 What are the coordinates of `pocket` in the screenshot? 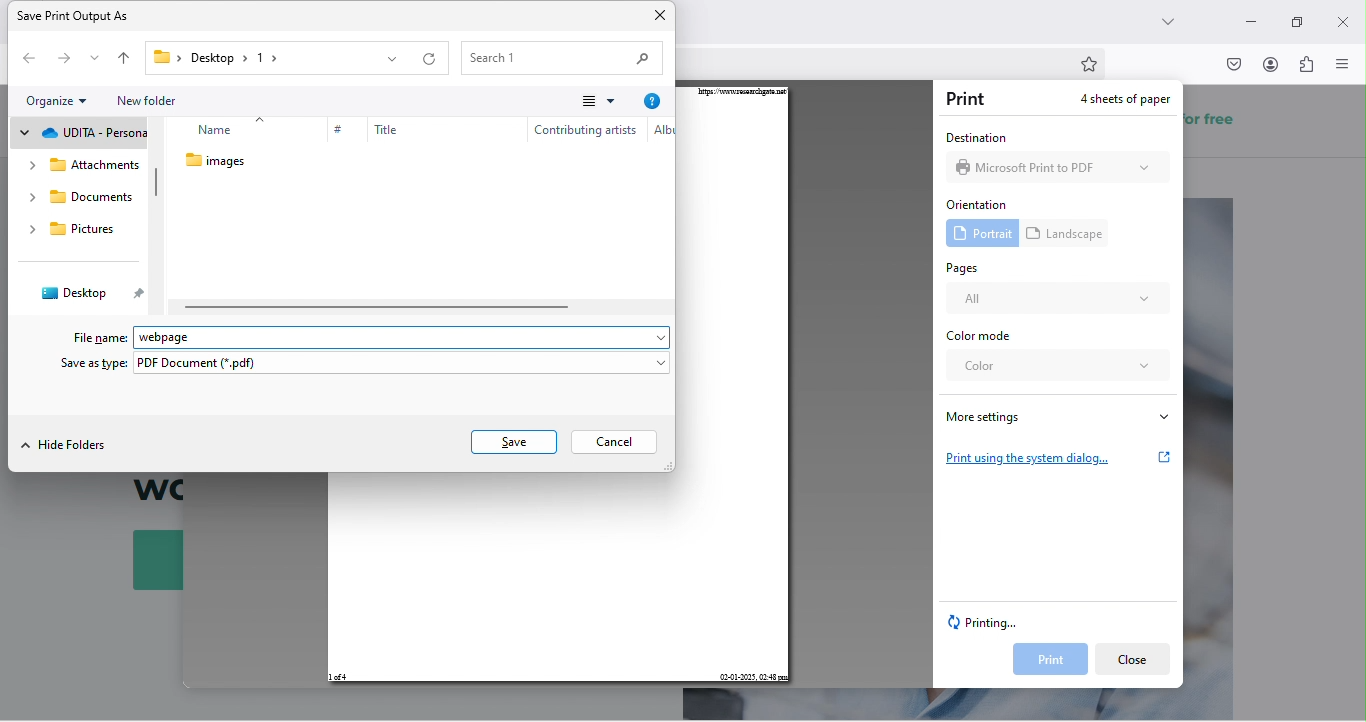 It's located at (1232, 64).